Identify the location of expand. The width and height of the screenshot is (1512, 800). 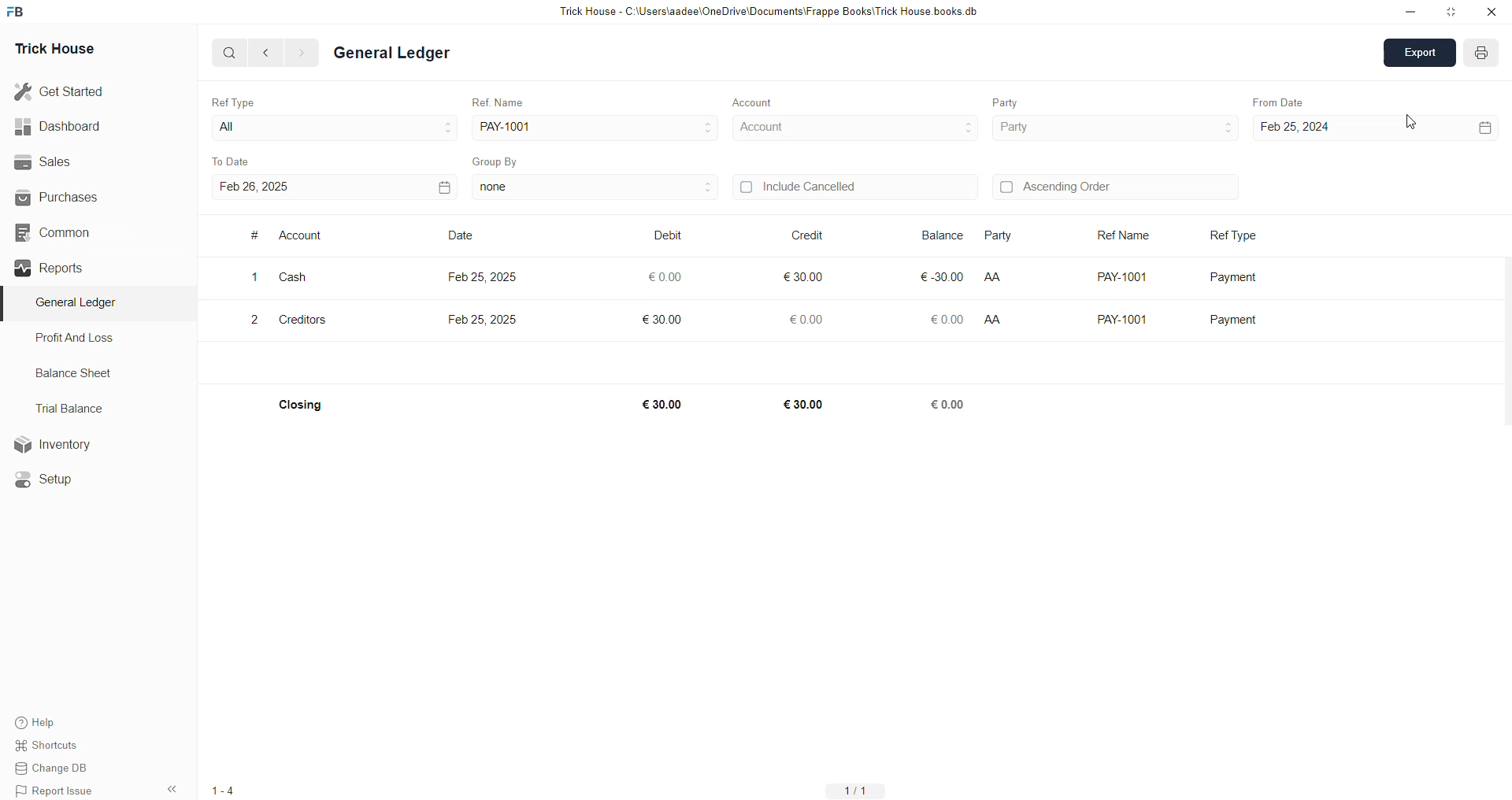
(1415, 53).